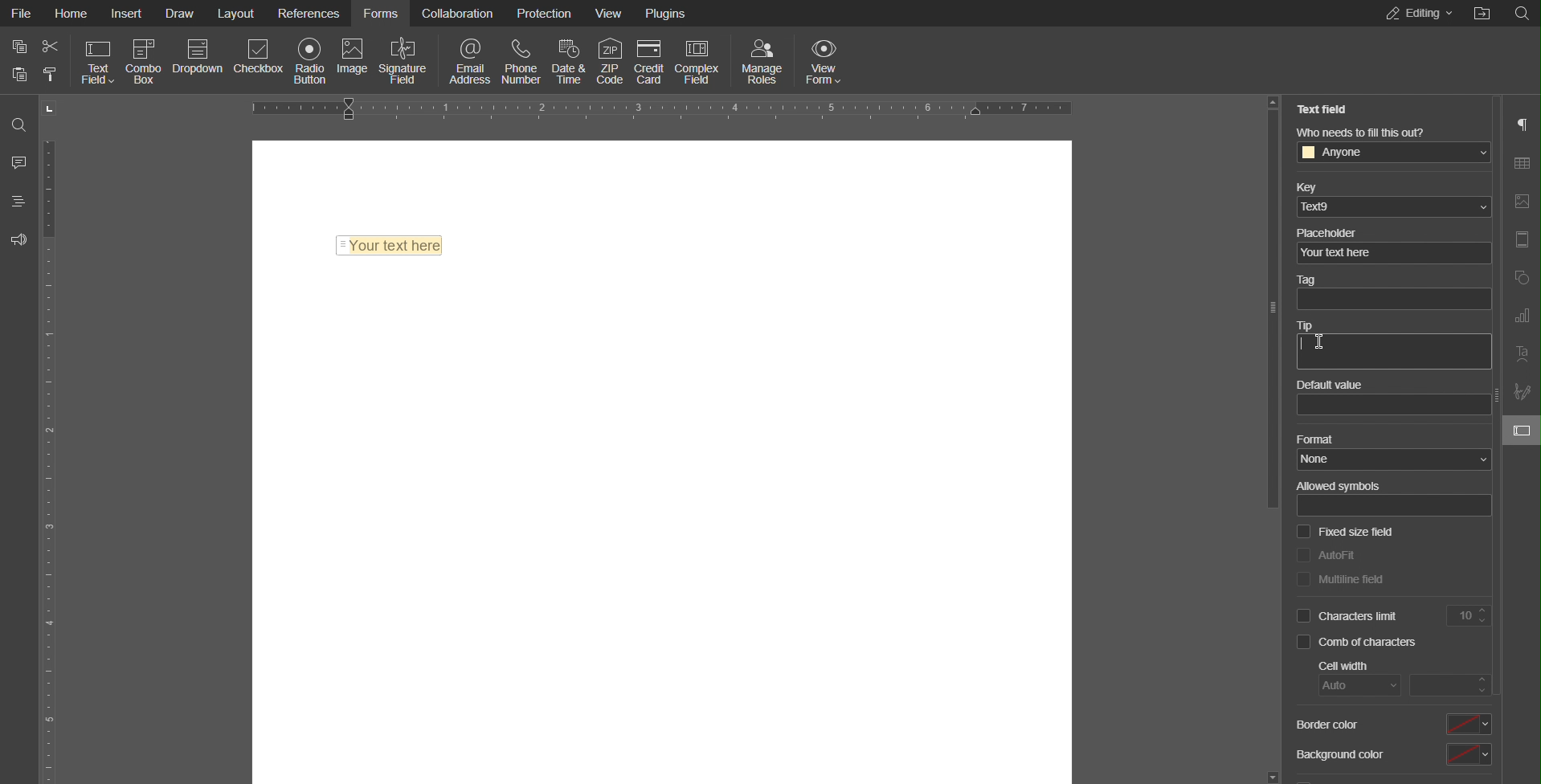 This screenshot has height=784, width=1541. What do you see at coordinates (1519, 200) in the screenshot?
I see `Image Settings` at bounding box center [1519, 200].